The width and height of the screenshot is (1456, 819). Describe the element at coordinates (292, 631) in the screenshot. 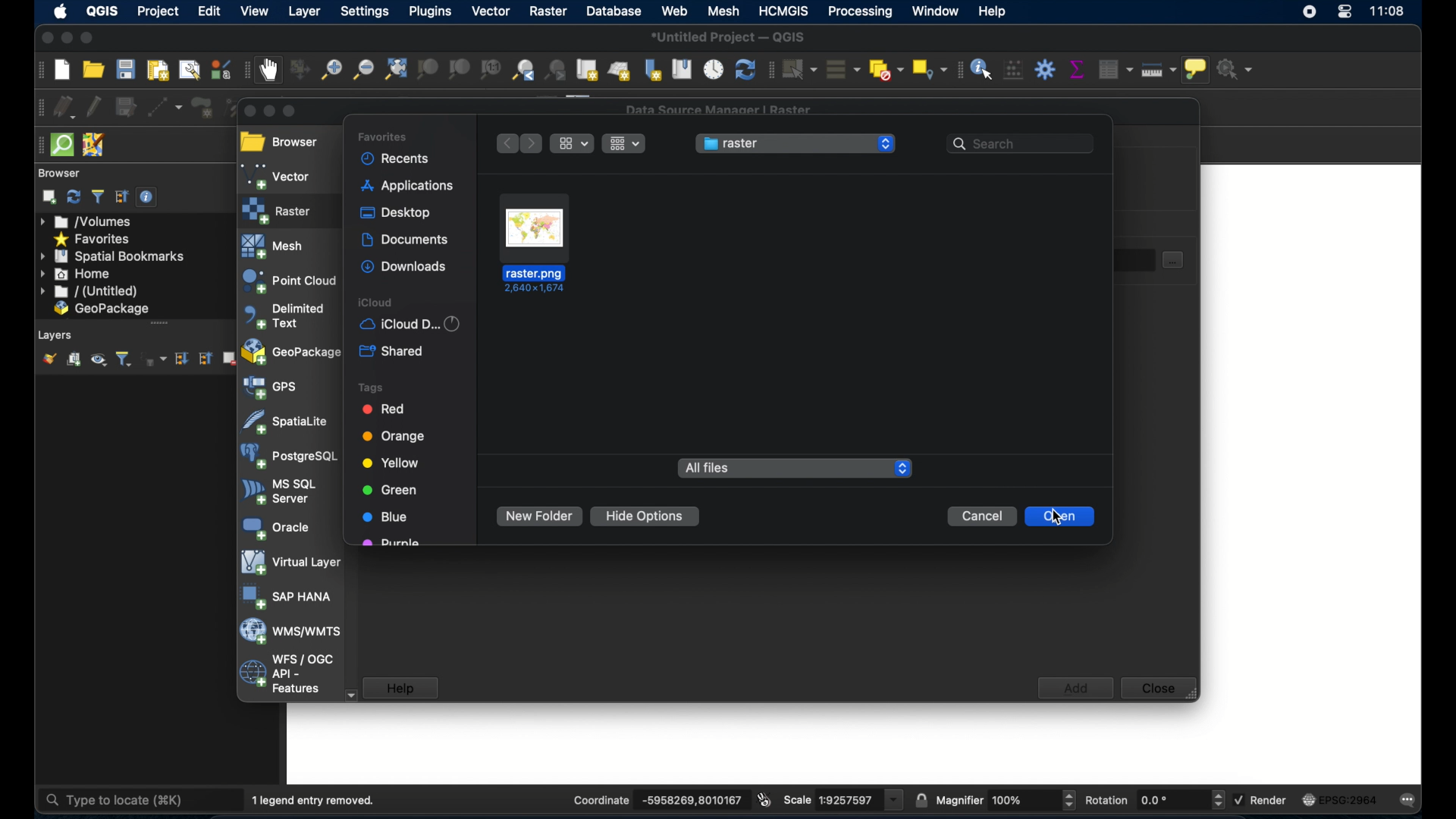

I see `was/wmts` at that location.